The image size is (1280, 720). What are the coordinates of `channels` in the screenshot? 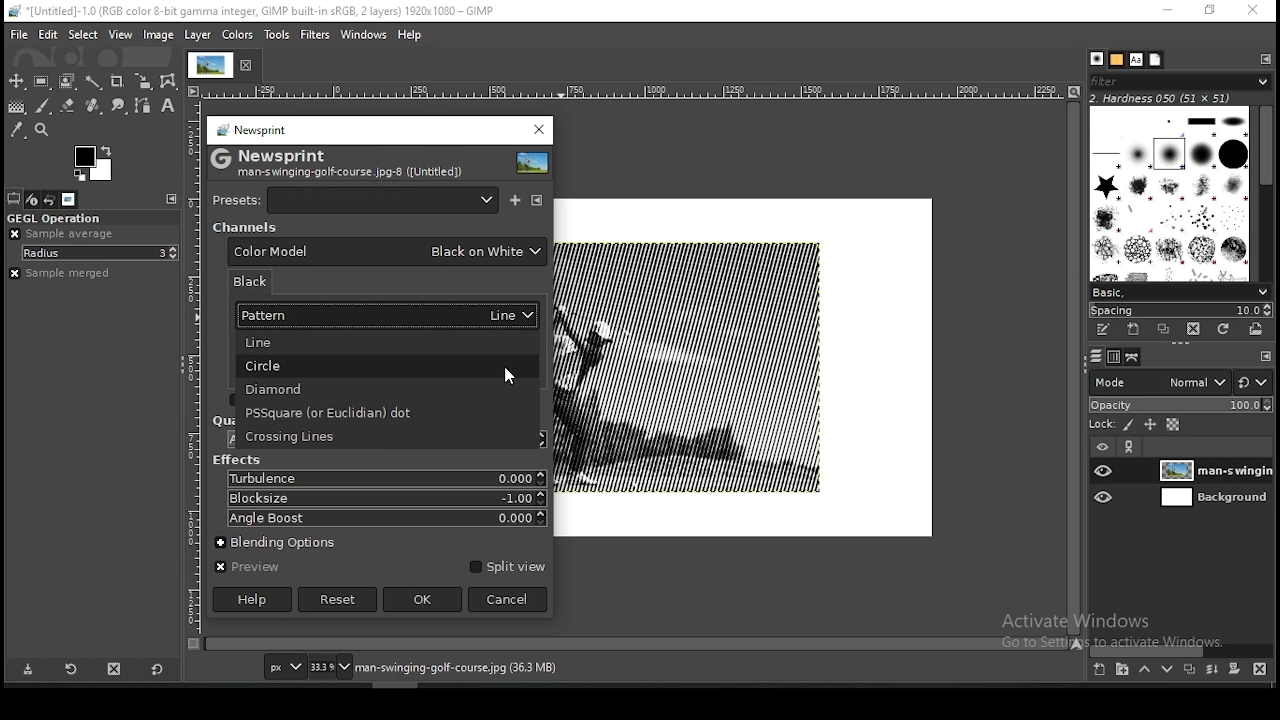 It's located at (1112, 359).